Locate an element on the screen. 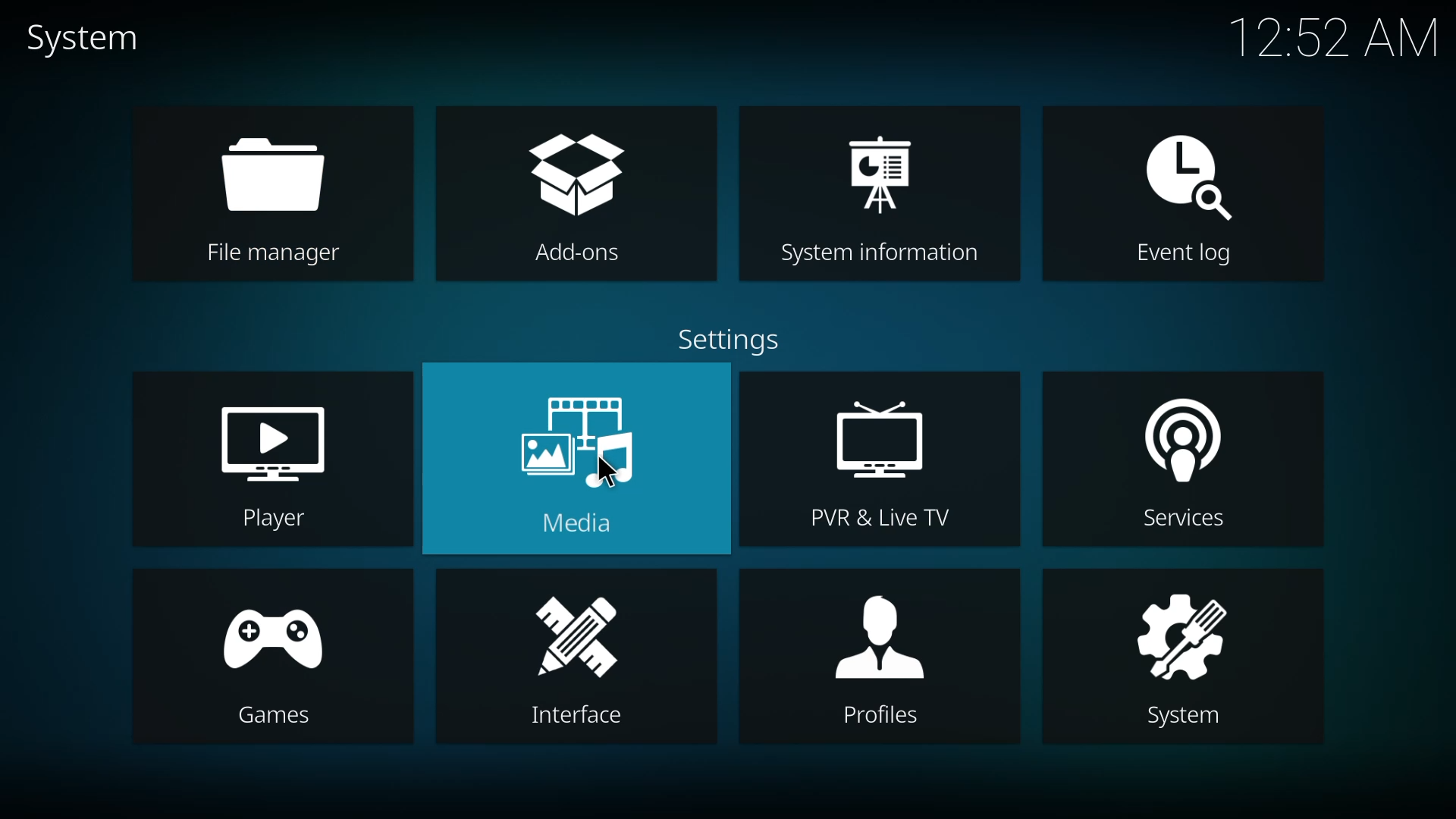 The width and height of the screenshot is (1456, 819). cursor is located at coordinates (607, 472).